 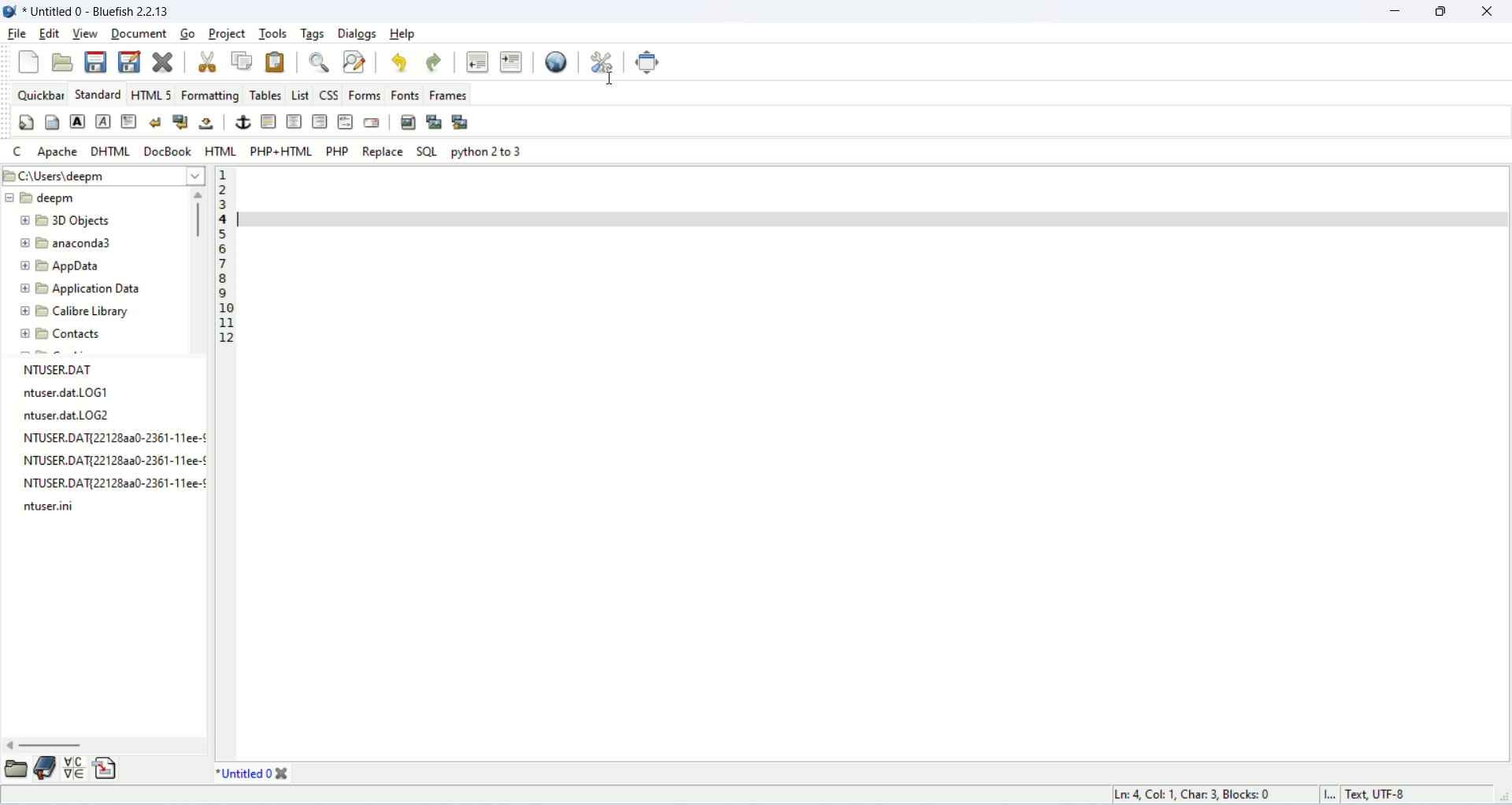 I want to click on tags, so click(x=314, y=35).